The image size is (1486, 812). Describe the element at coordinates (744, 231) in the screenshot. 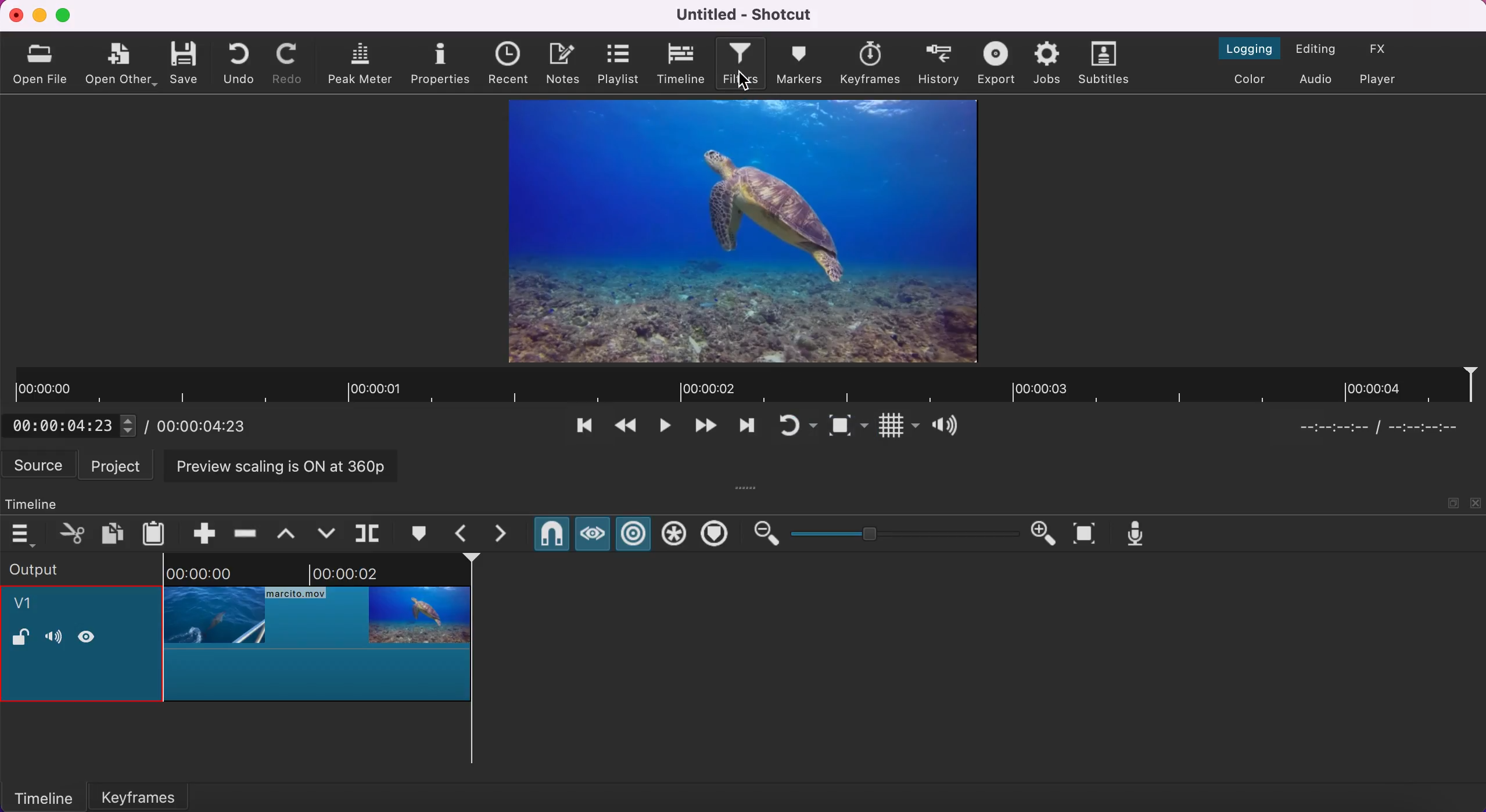

I see `clip` at that location.